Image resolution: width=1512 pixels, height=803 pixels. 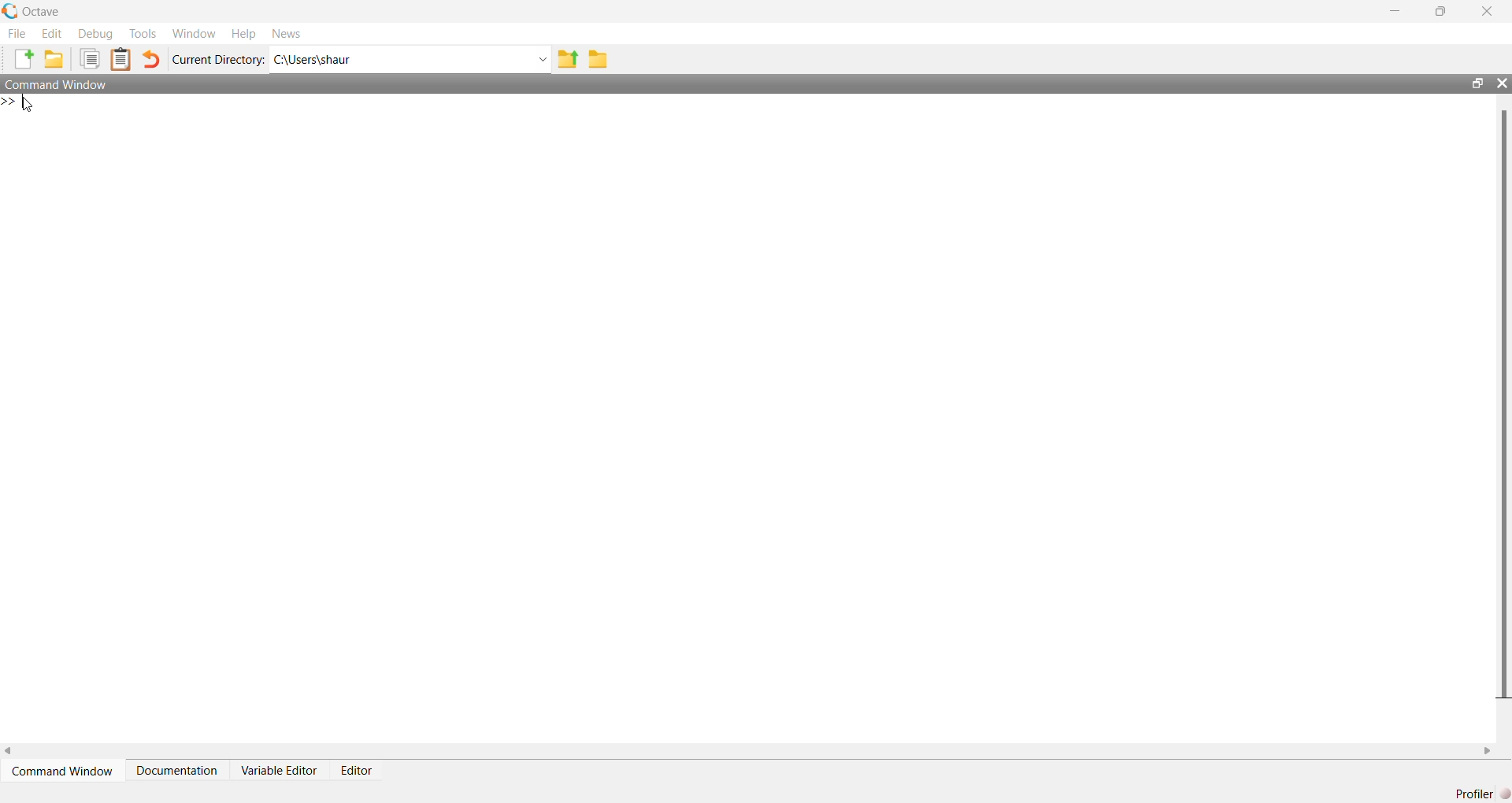 What do you see at coordinates (9, 751) in the screenshot?
I see `scroll left` at bounding box center [9, 751].